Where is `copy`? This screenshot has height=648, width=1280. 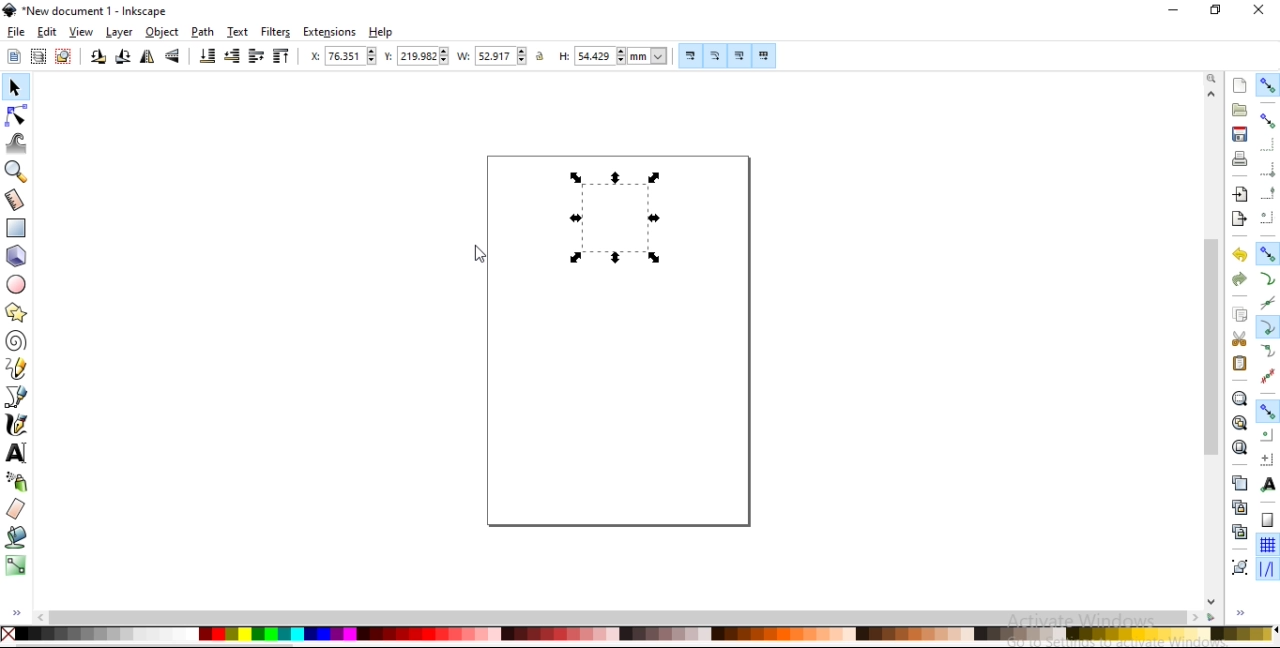 copy is located at coordinates (1241, 316).